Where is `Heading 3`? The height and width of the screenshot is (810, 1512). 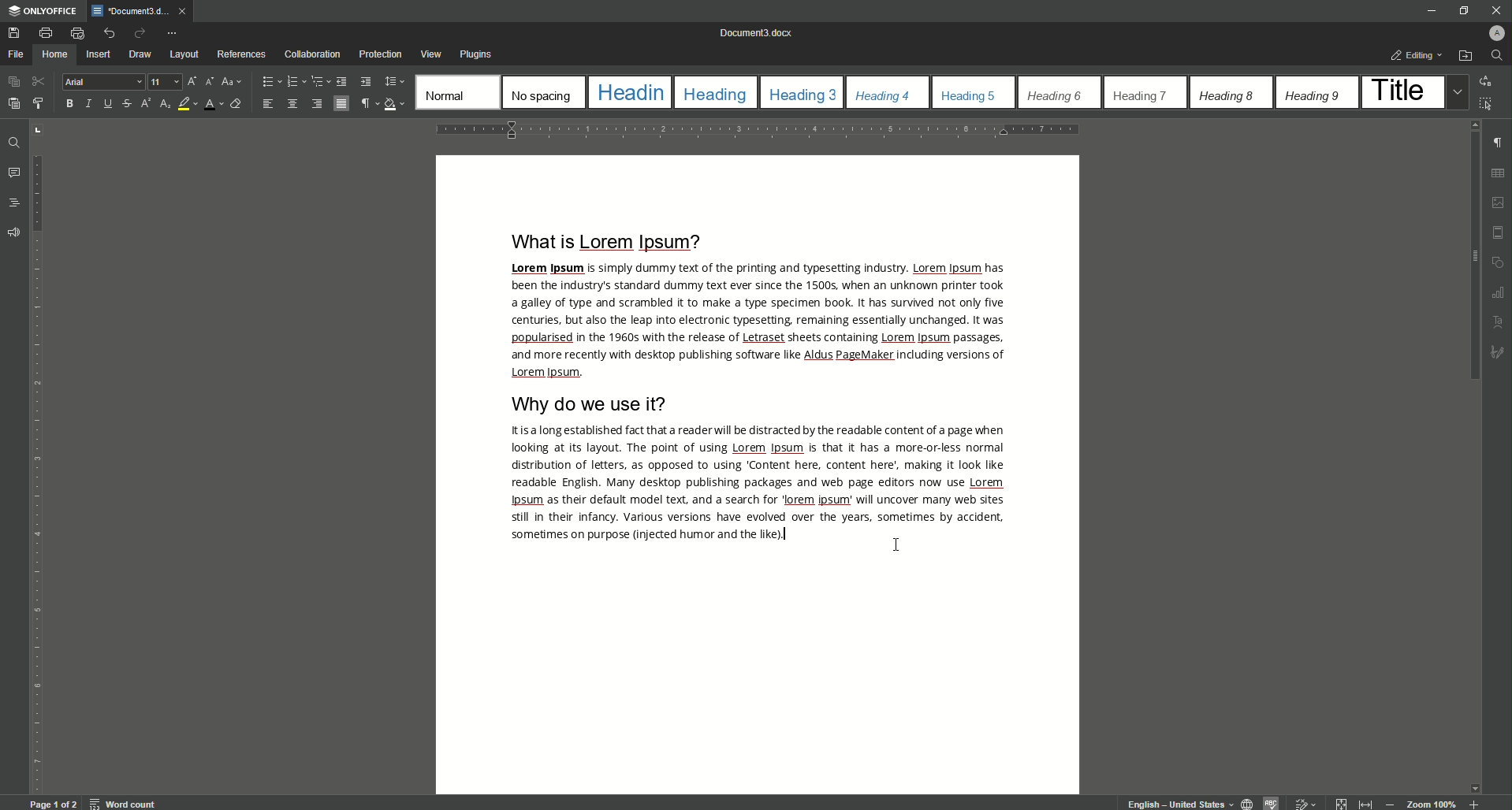 Heading 3 is located at coordinates (806, 93).